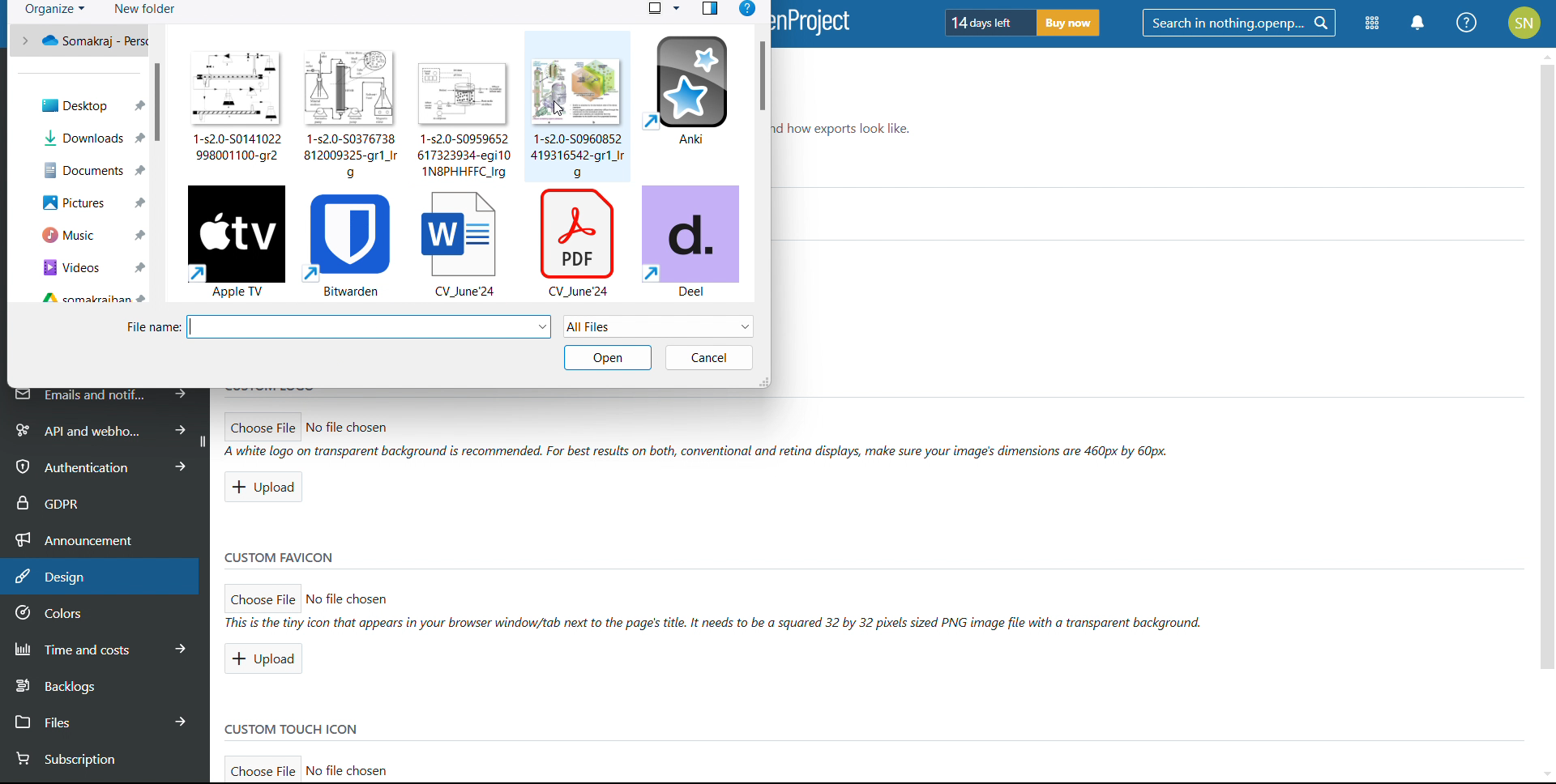 Image resolution: width=1556 pixels, height=784 pixels. What do you see at coordinates (94, 138) in the screenshot?
I see ` Downloads` at bounding box center [94, 138].